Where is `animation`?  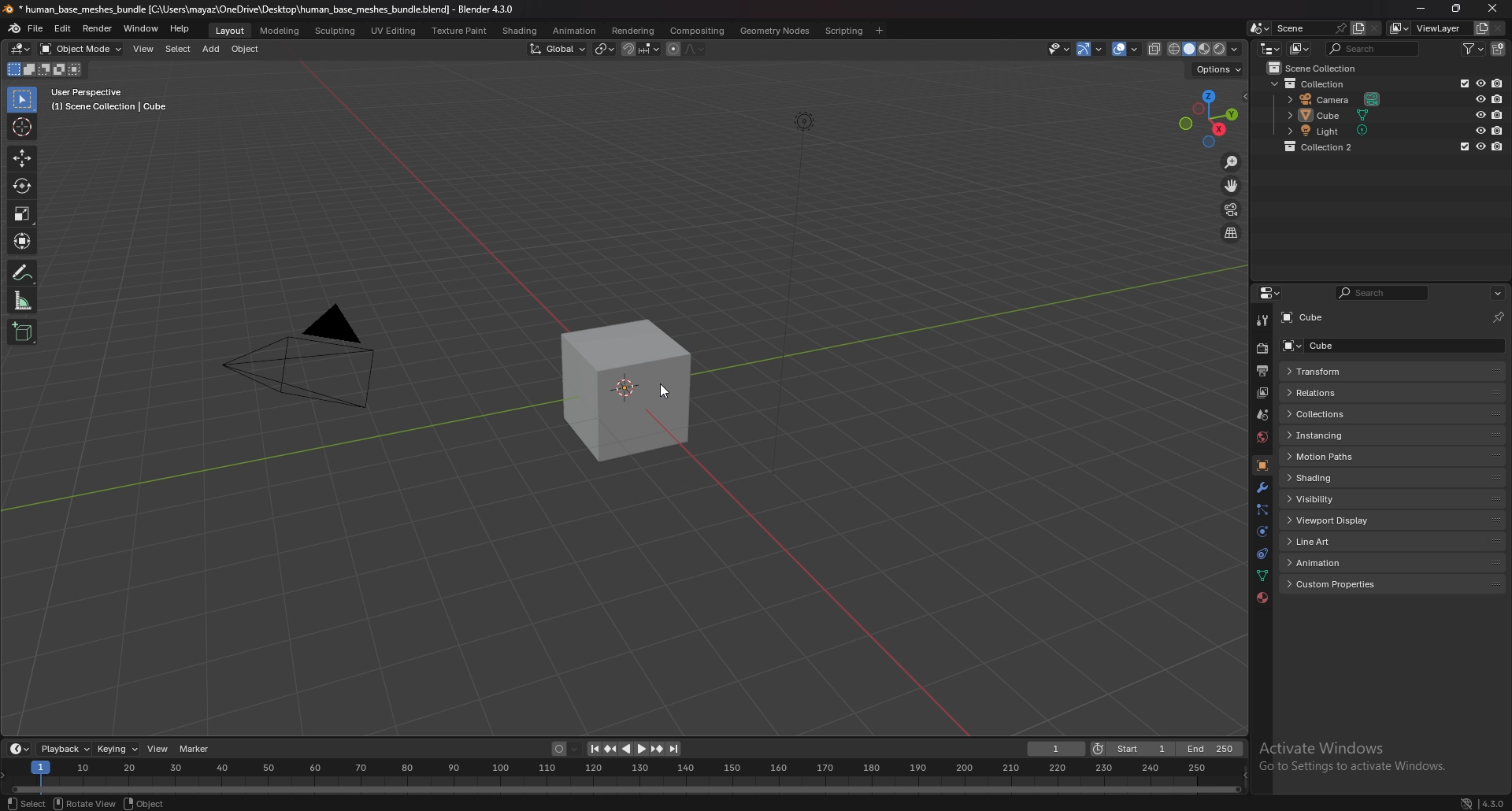
animation is located at coordinates (1341, 561).